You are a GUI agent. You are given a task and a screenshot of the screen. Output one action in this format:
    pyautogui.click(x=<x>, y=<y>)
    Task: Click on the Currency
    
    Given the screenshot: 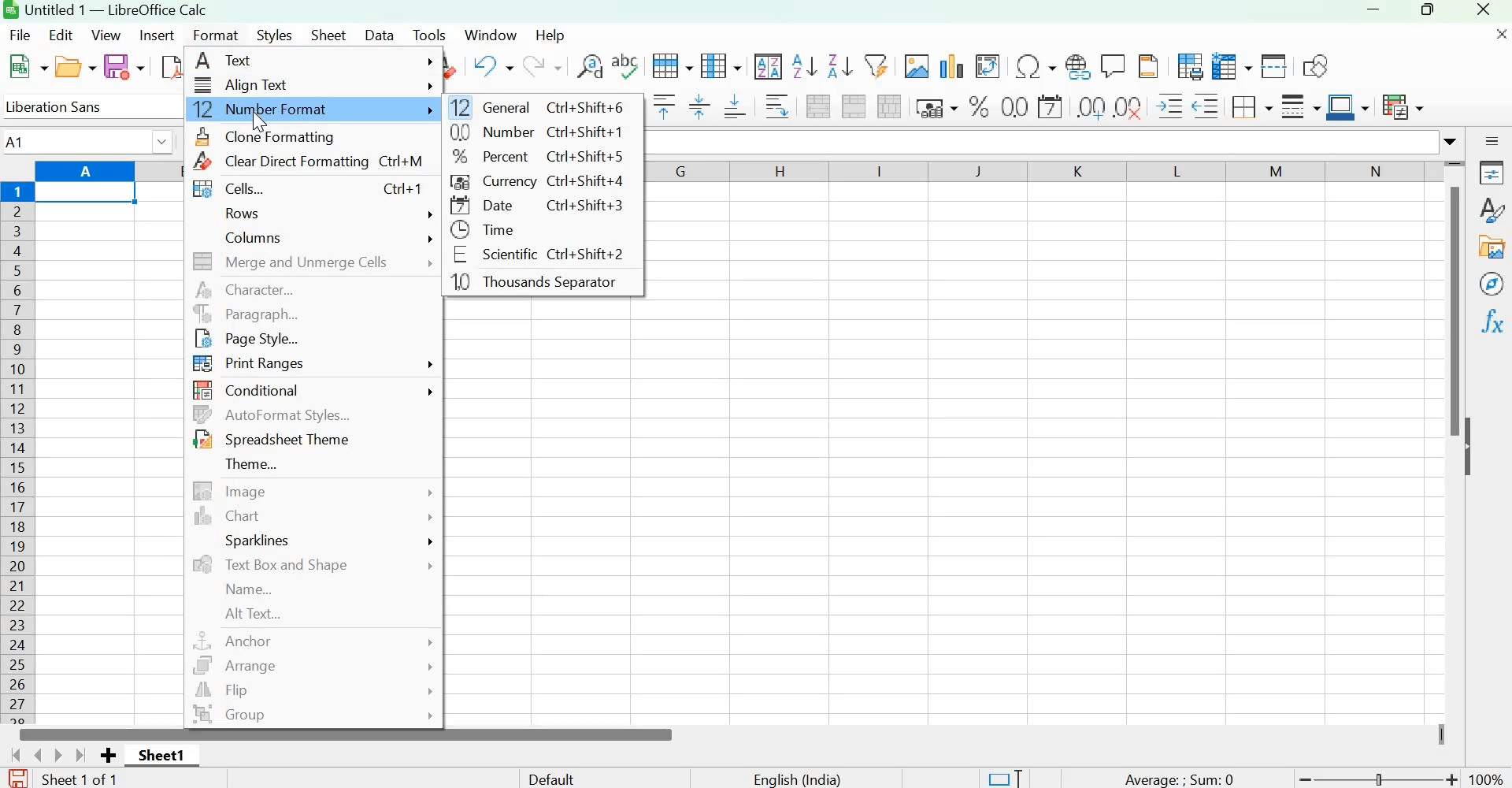 What is the action you would take?
    pyautogui.click(x=537, y=181)
    